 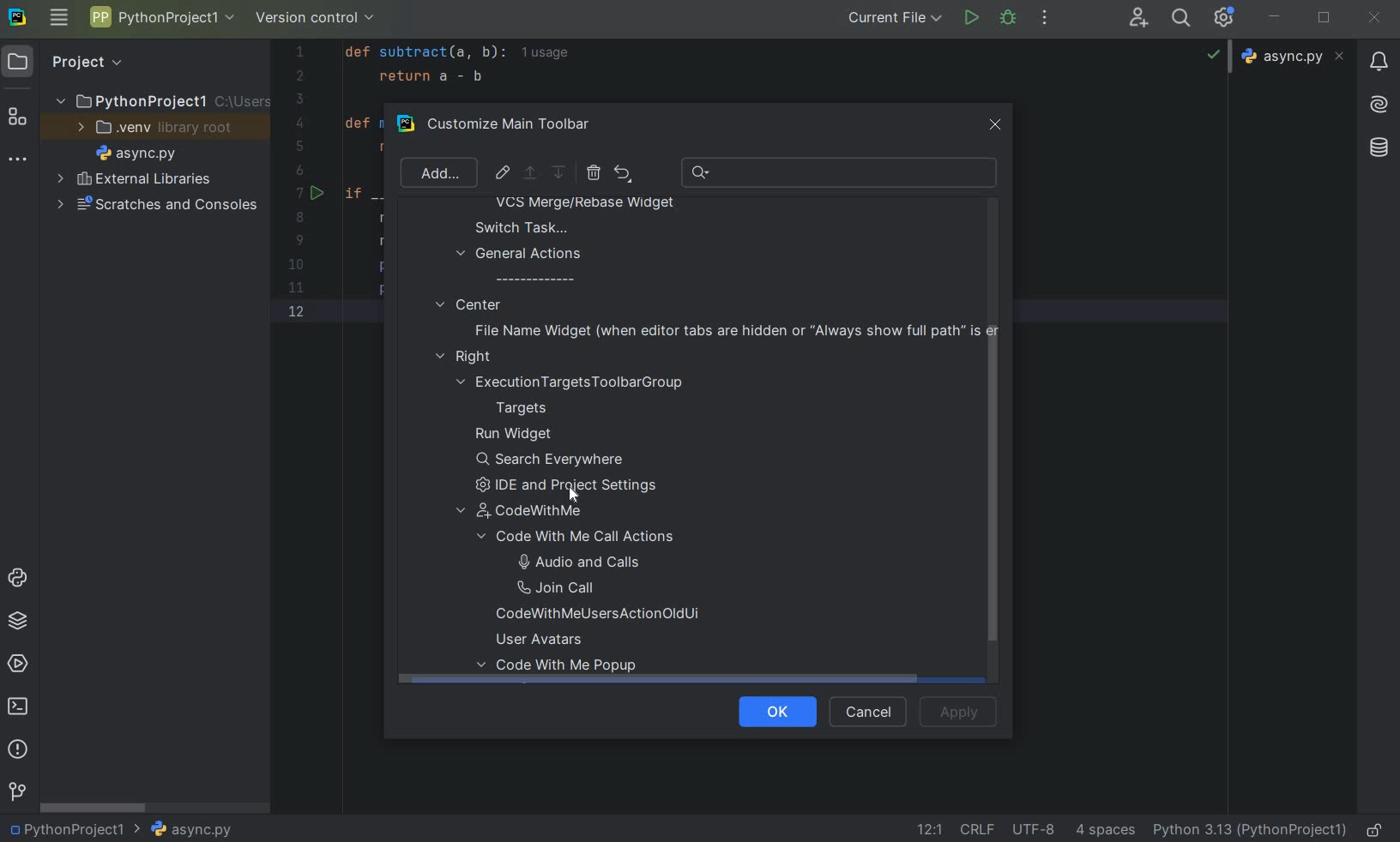 I want to click on switch task, so click(x=513, y=227).